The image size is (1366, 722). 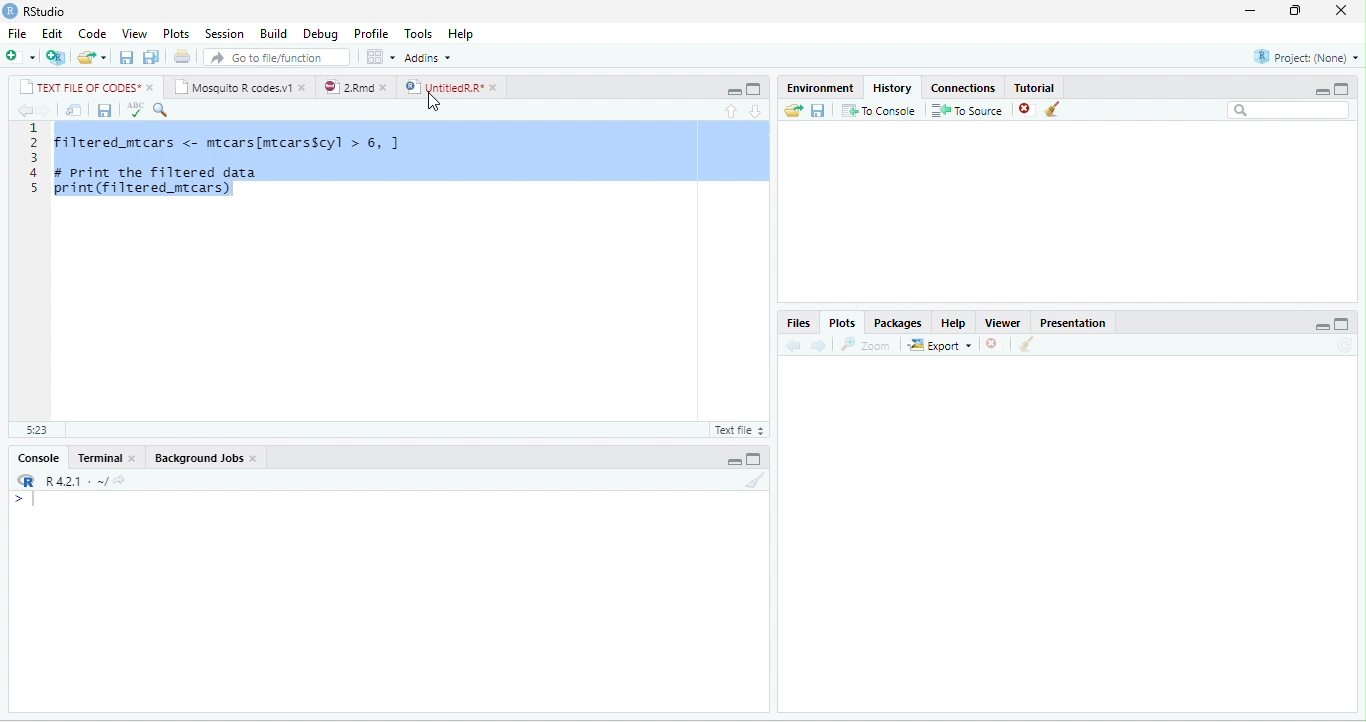 What do you see at coordinates (1033, 87) in the screenshot?
I see `Tutorial` at bounding box center [1033, 87].